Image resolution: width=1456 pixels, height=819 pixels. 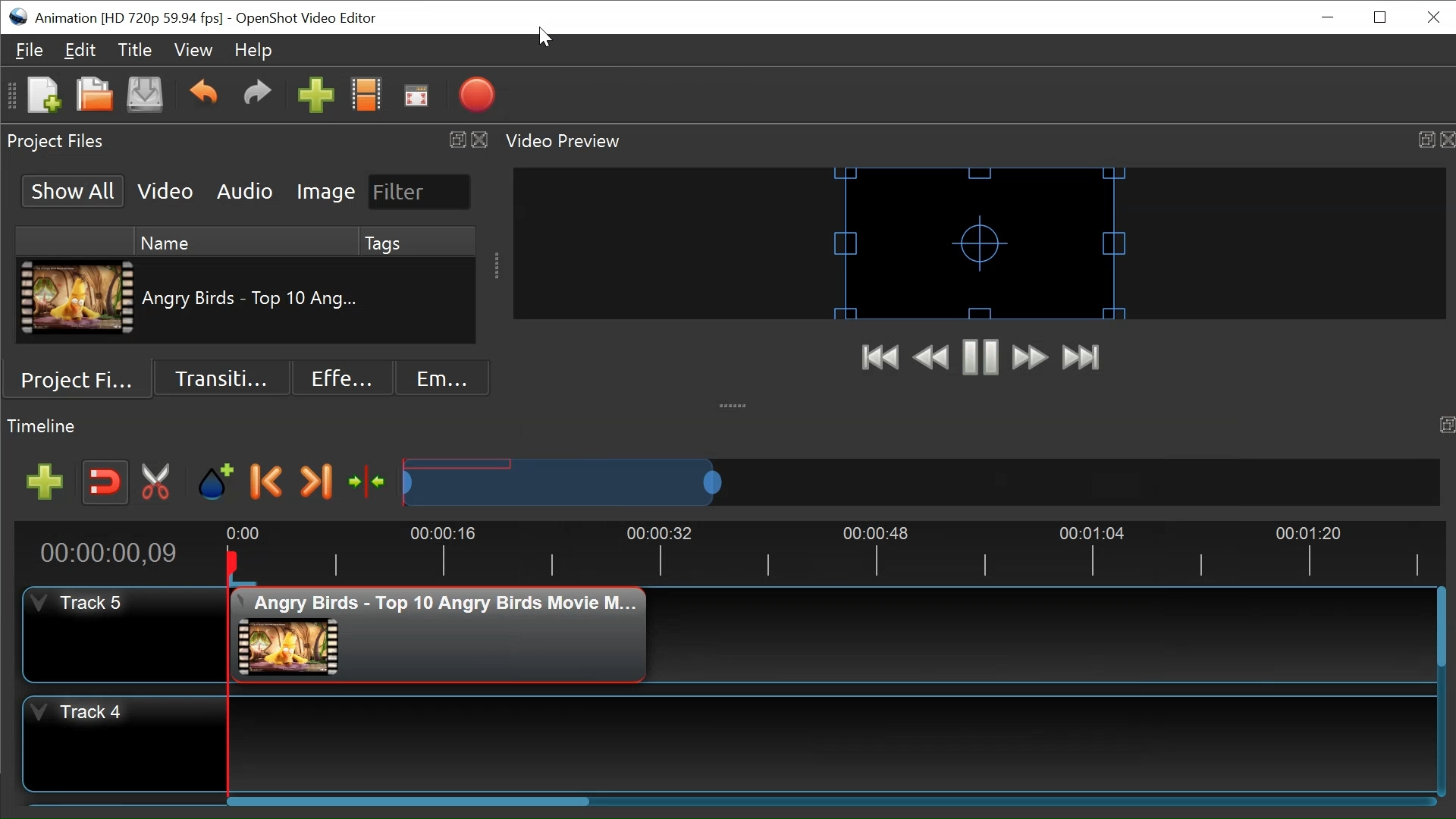 What do you see at coordinates (246, 141) in the screenshot?
I see `Project Files Panel` at bounding box center [246, 141].